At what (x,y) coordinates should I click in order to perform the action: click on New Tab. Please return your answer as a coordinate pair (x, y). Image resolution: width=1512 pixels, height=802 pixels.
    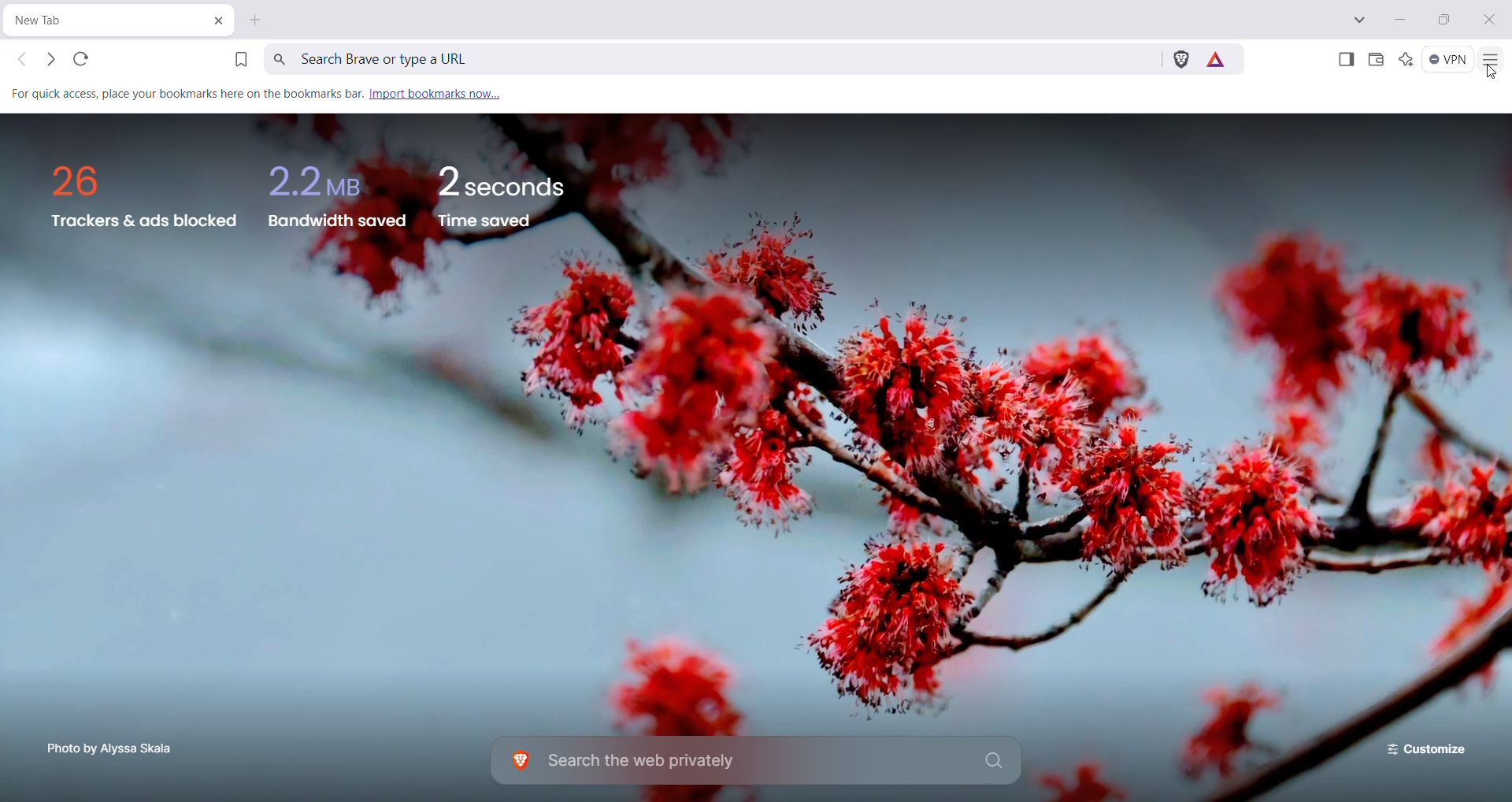
    Looking at the image, I should click on (258, 20).